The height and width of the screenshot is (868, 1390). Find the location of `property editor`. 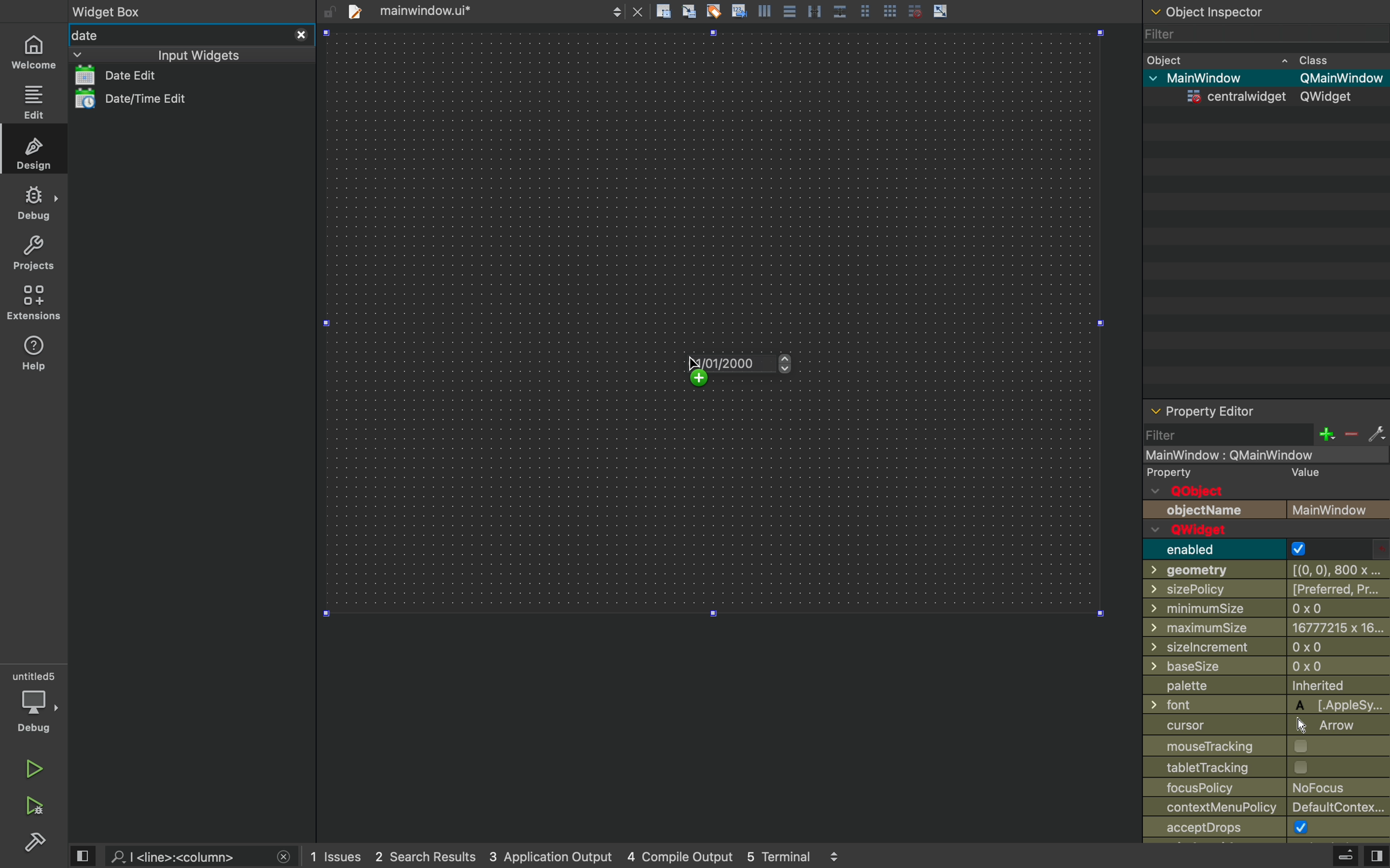

property editor is located at coordinates (1265, 410).